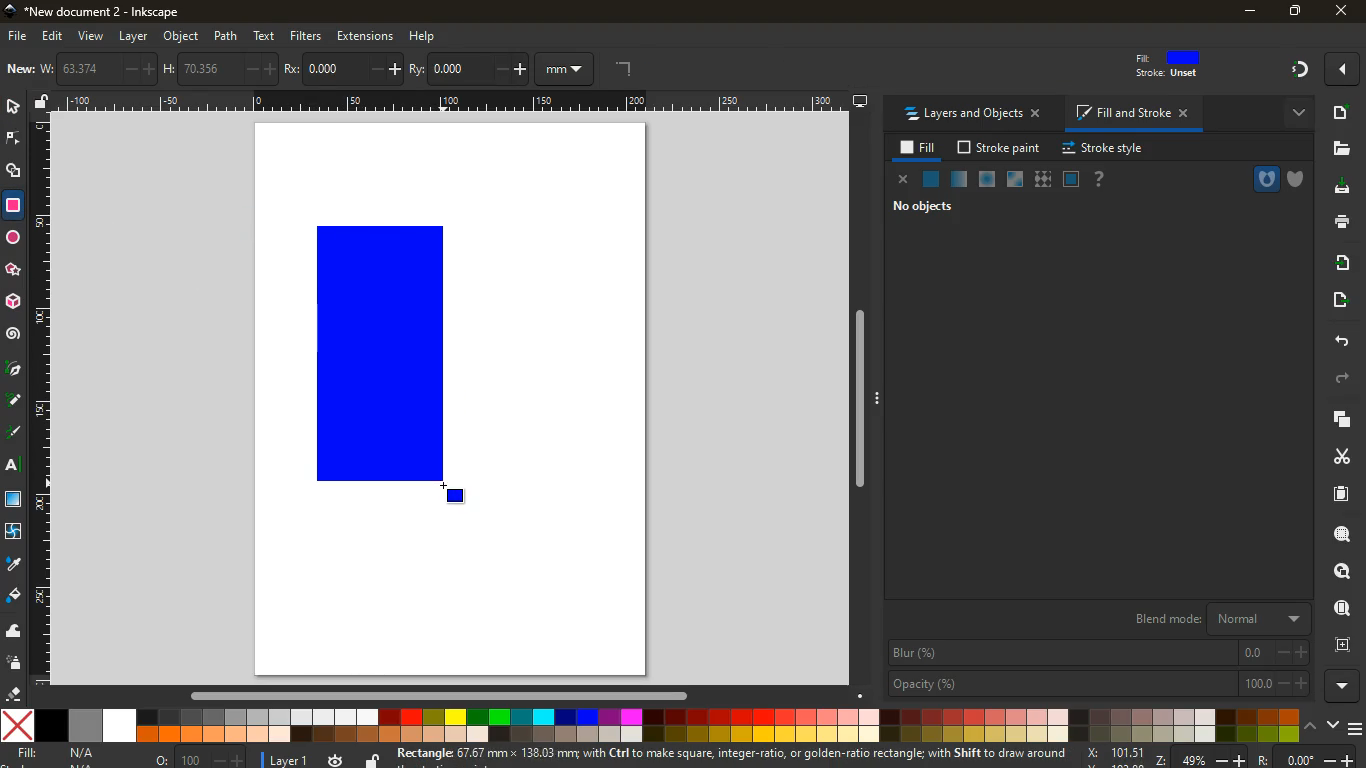 The height and width of the screenshot is (768, 1366). Describe the element at coordinates (14, 142) in the screenshot. I see `edge` at that location.